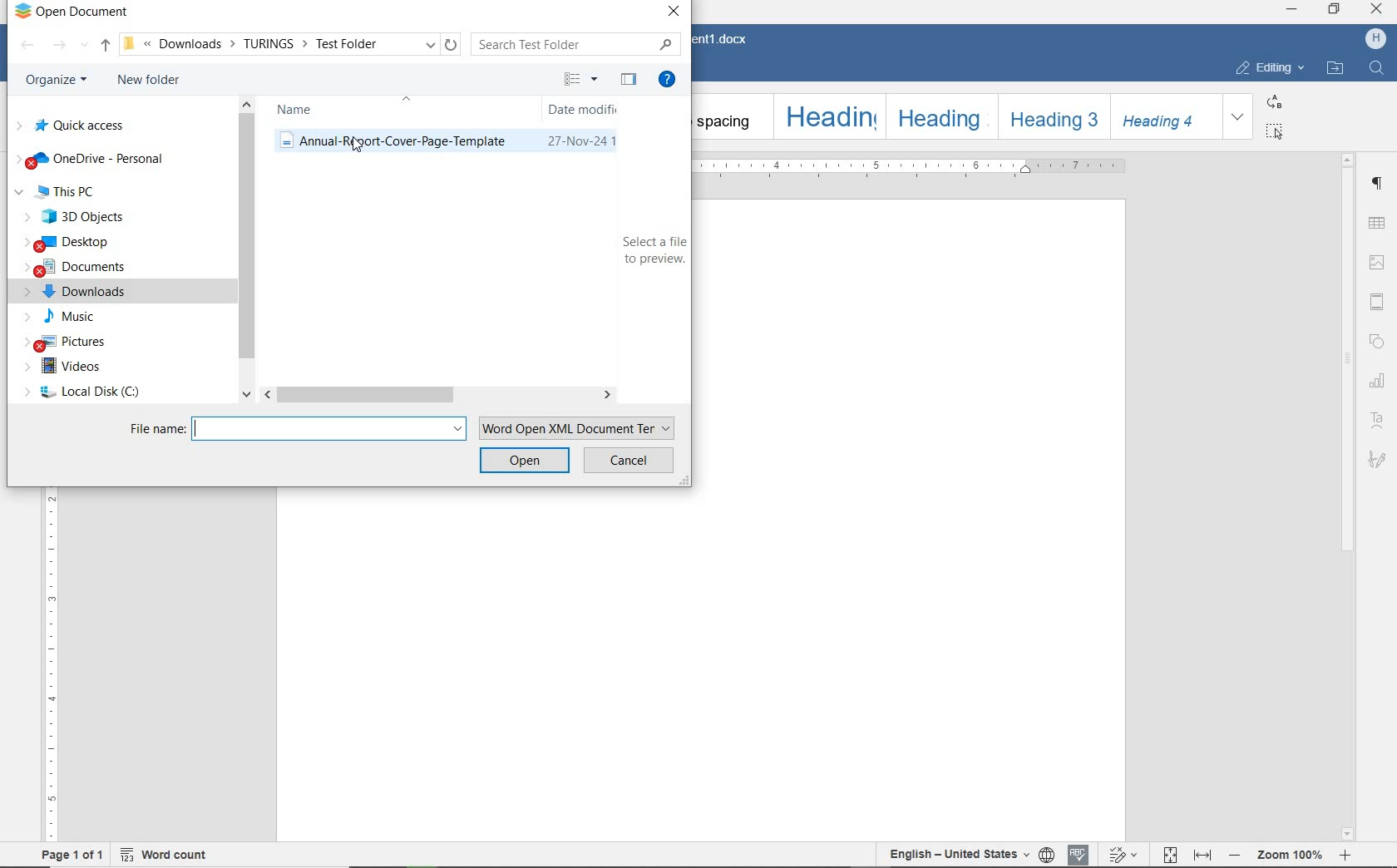  What do you see at coordinates (729, 116) in the screenshot?
I see `no spacing` at bounding box center [729, 116].